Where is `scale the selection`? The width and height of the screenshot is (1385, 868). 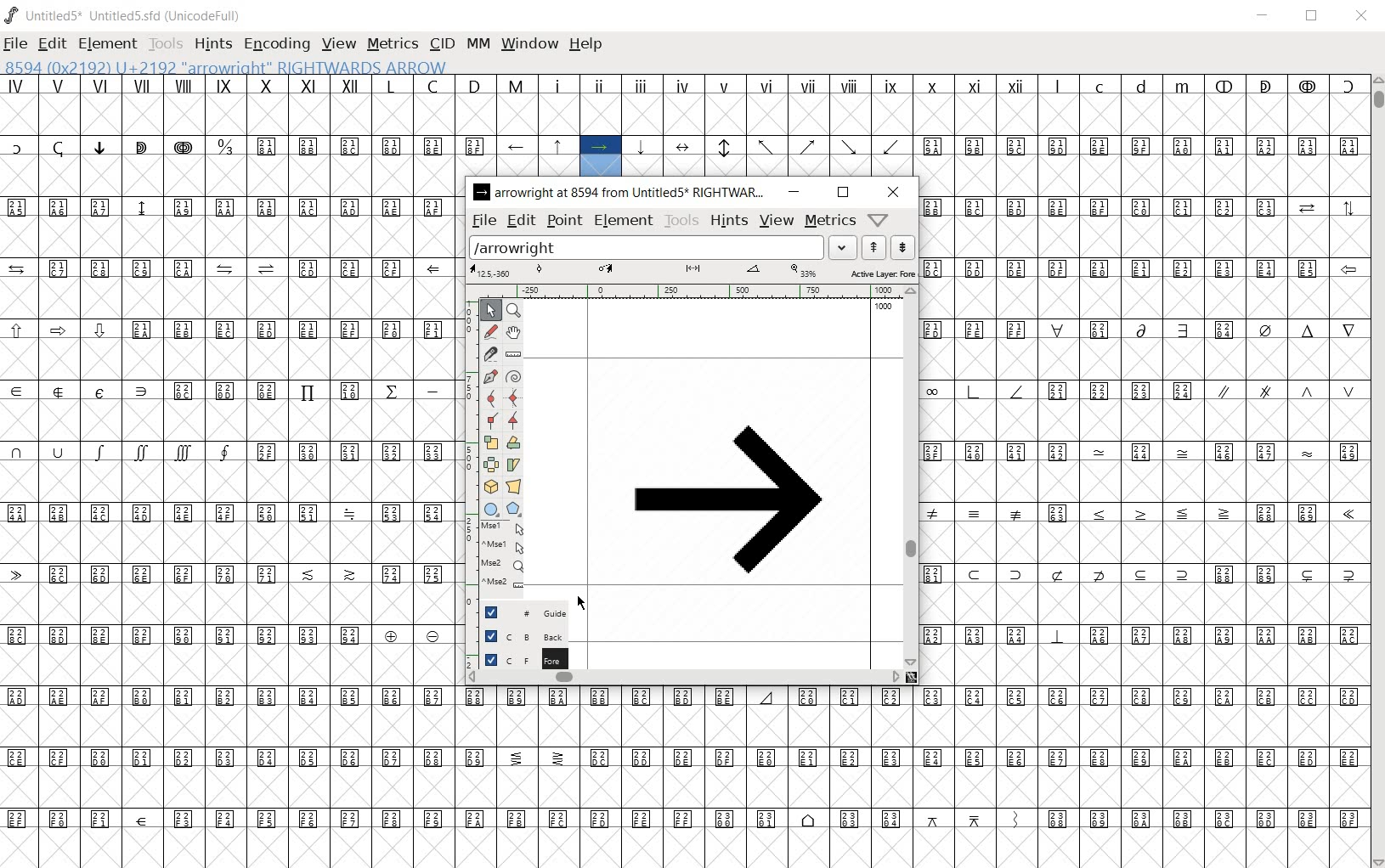
scale the selection is located at coordinates (491, 442).